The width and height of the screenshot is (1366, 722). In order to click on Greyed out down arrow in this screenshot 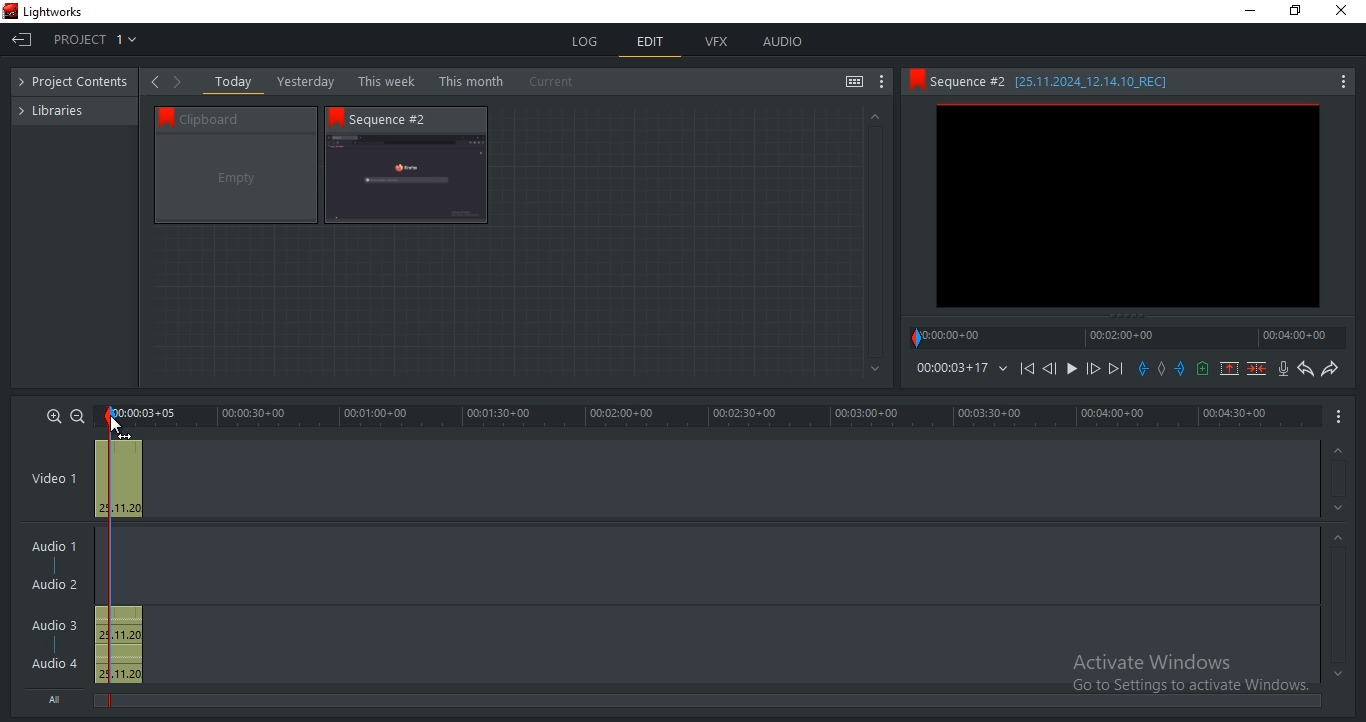, I will do `click(1338, 673)`.